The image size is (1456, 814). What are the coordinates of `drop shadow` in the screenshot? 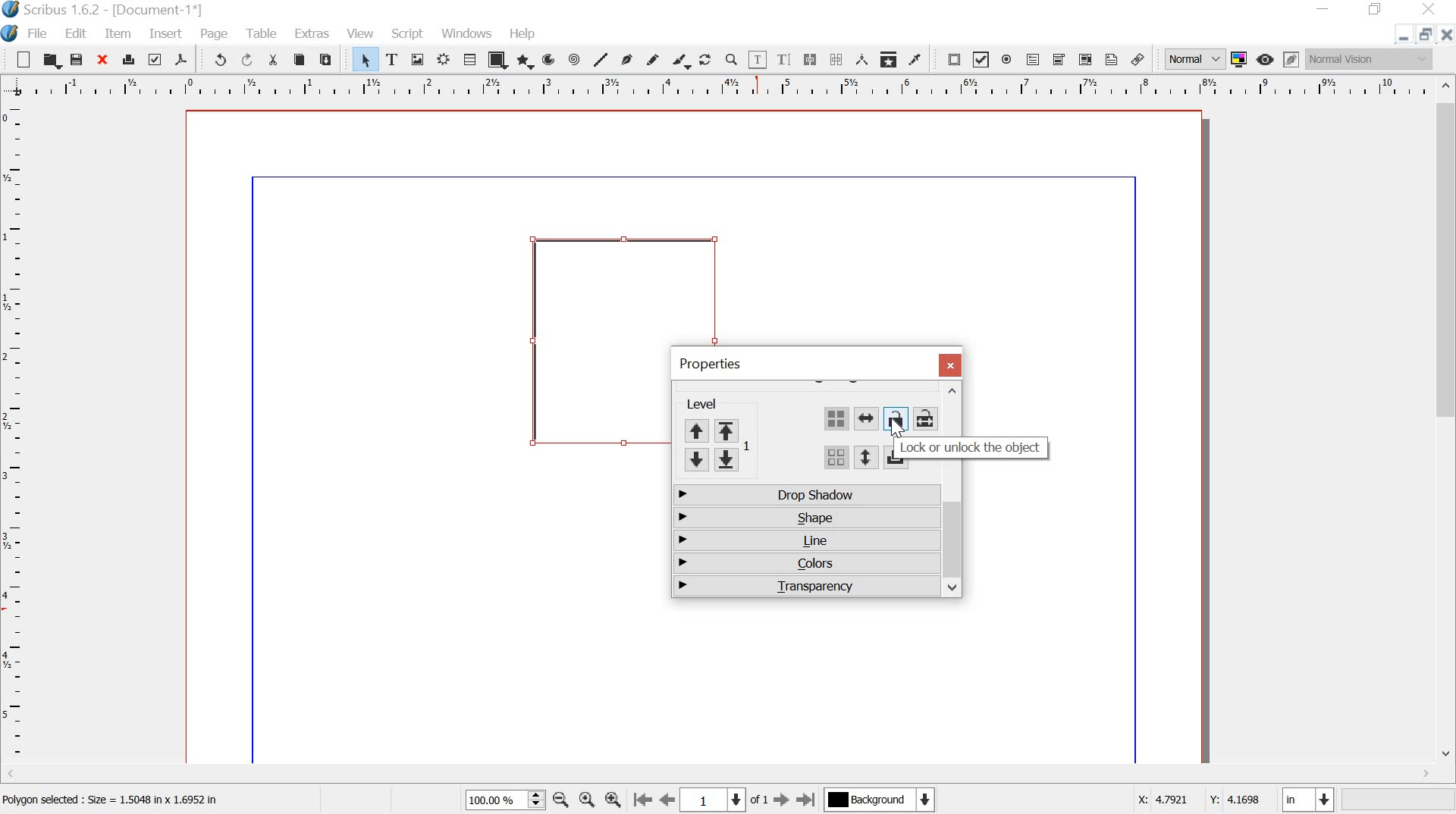 It's located at (805, 496).